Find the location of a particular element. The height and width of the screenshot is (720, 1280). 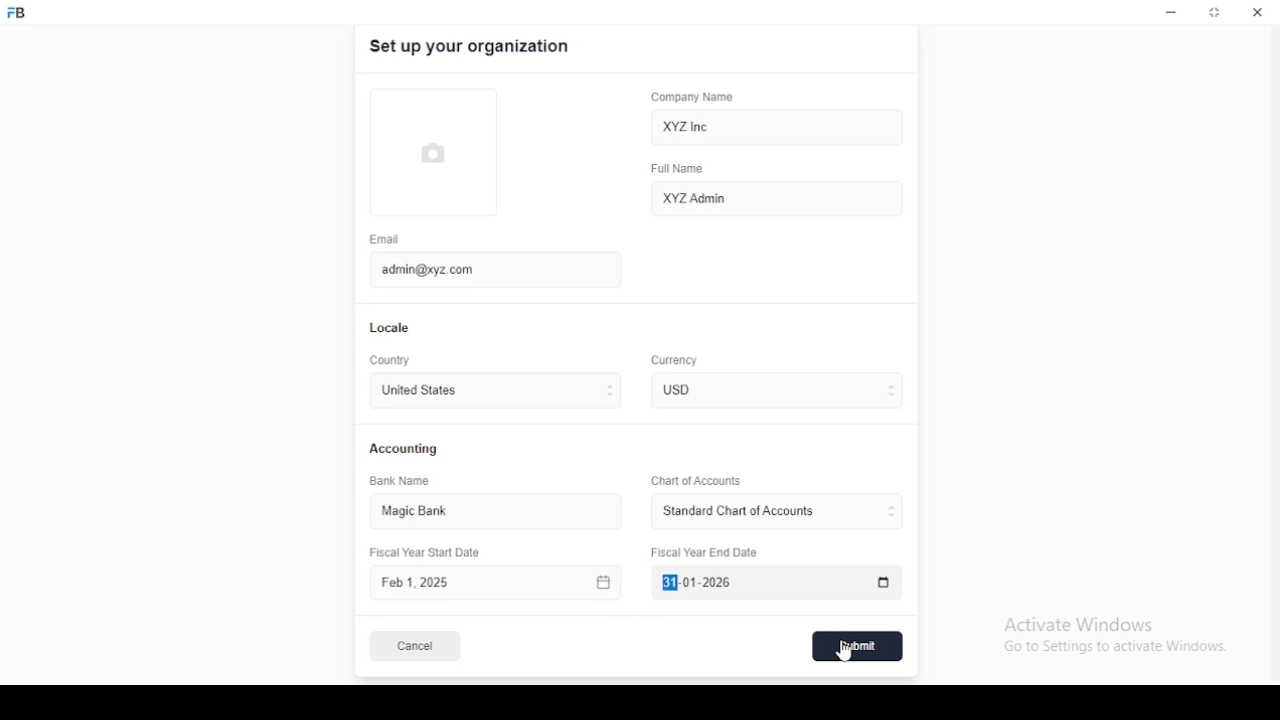

admin@xyz.com is located at coordinates (485, 268).